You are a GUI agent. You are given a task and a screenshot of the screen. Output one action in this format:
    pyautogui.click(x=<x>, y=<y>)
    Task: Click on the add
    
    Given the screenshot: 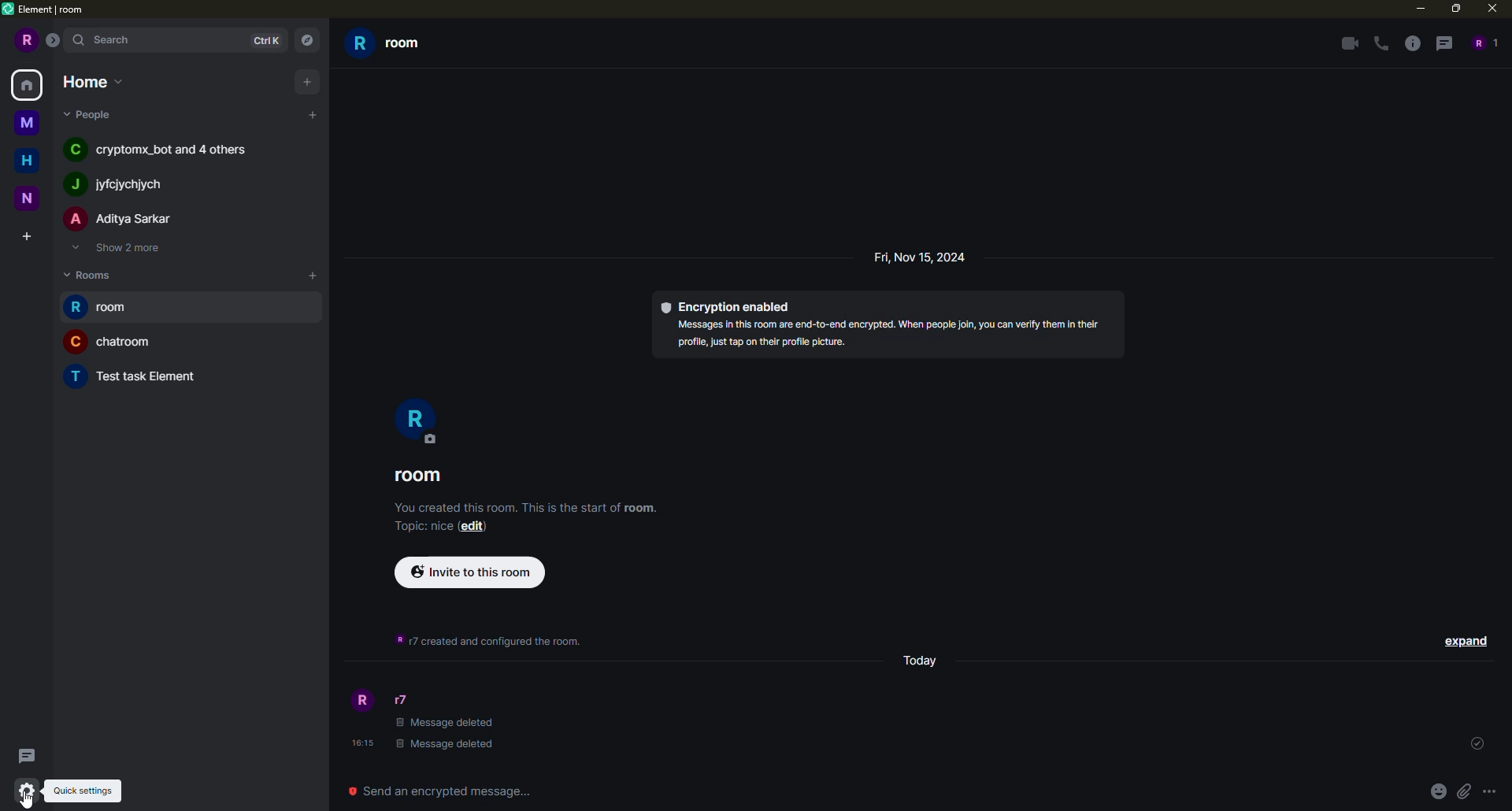 What is the action you would take?
    pyautogui.click(x=307, y=80)
    